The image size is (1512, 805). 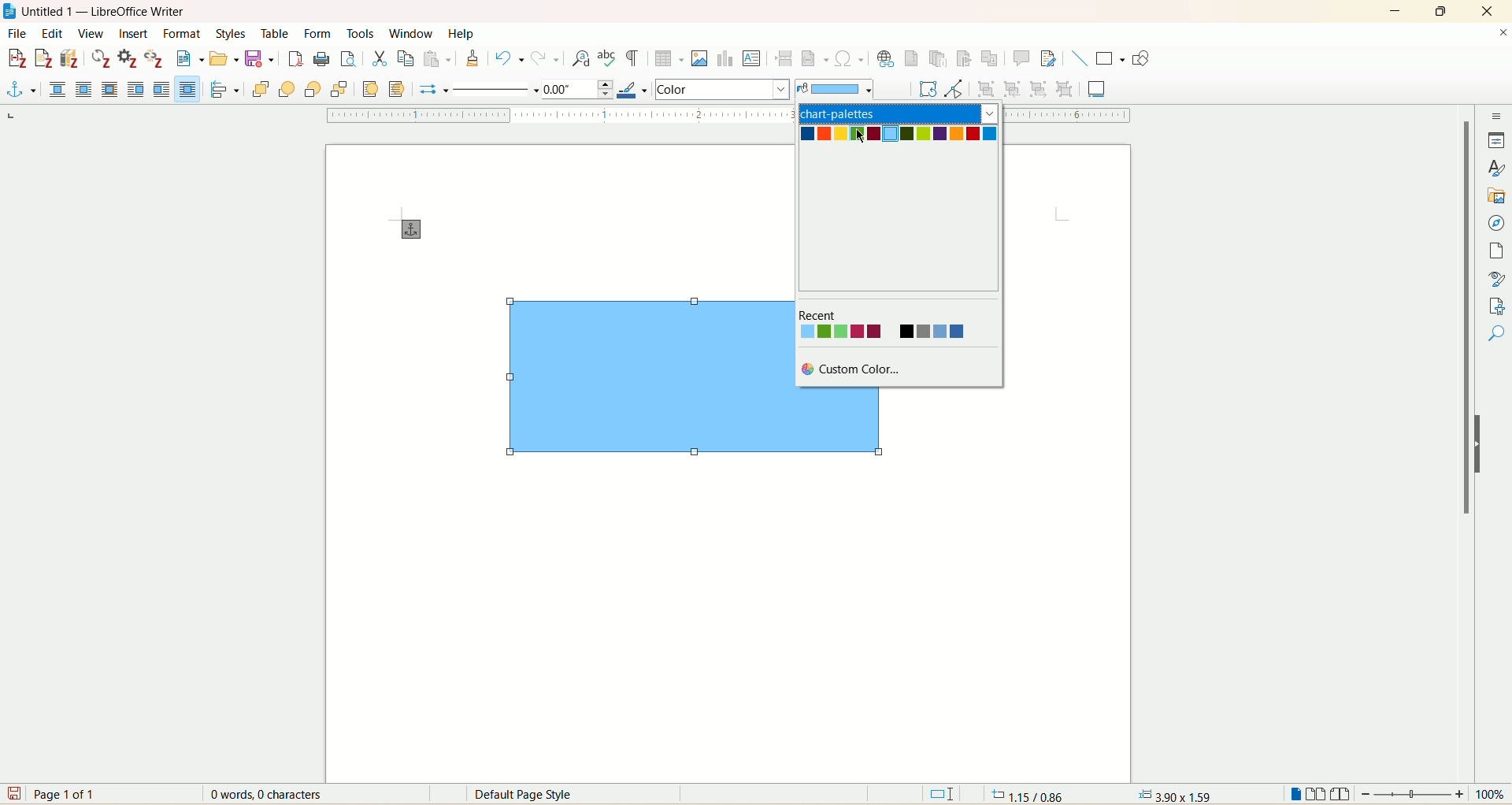 What do you see at coordinates (608, 60) in the screenshot?
I see `spelling` at bounding box center [608, 60].